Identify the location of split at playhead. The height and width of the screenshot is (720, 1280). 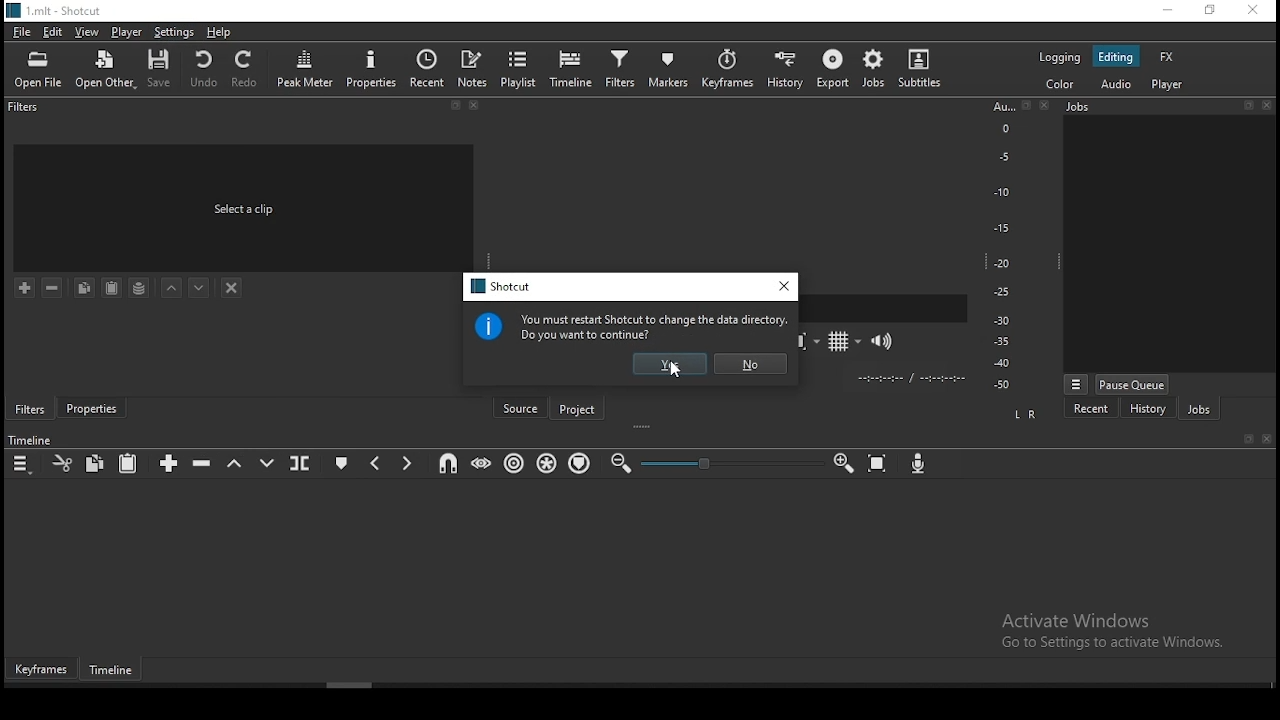
(302, 463).